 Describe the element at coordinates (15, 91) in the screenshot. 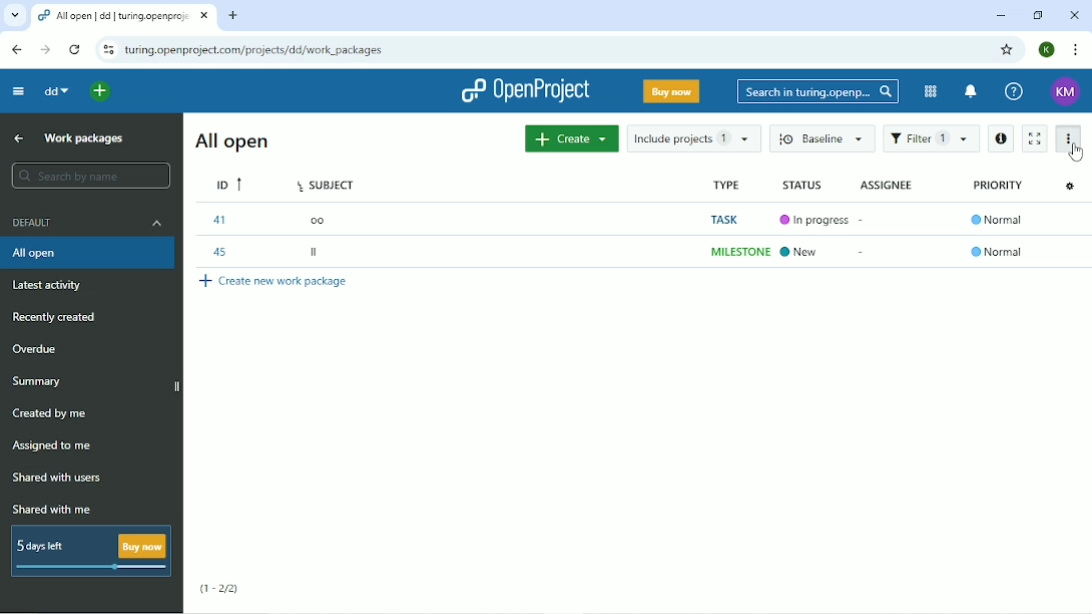

I see `Collapse project menu` at that location.